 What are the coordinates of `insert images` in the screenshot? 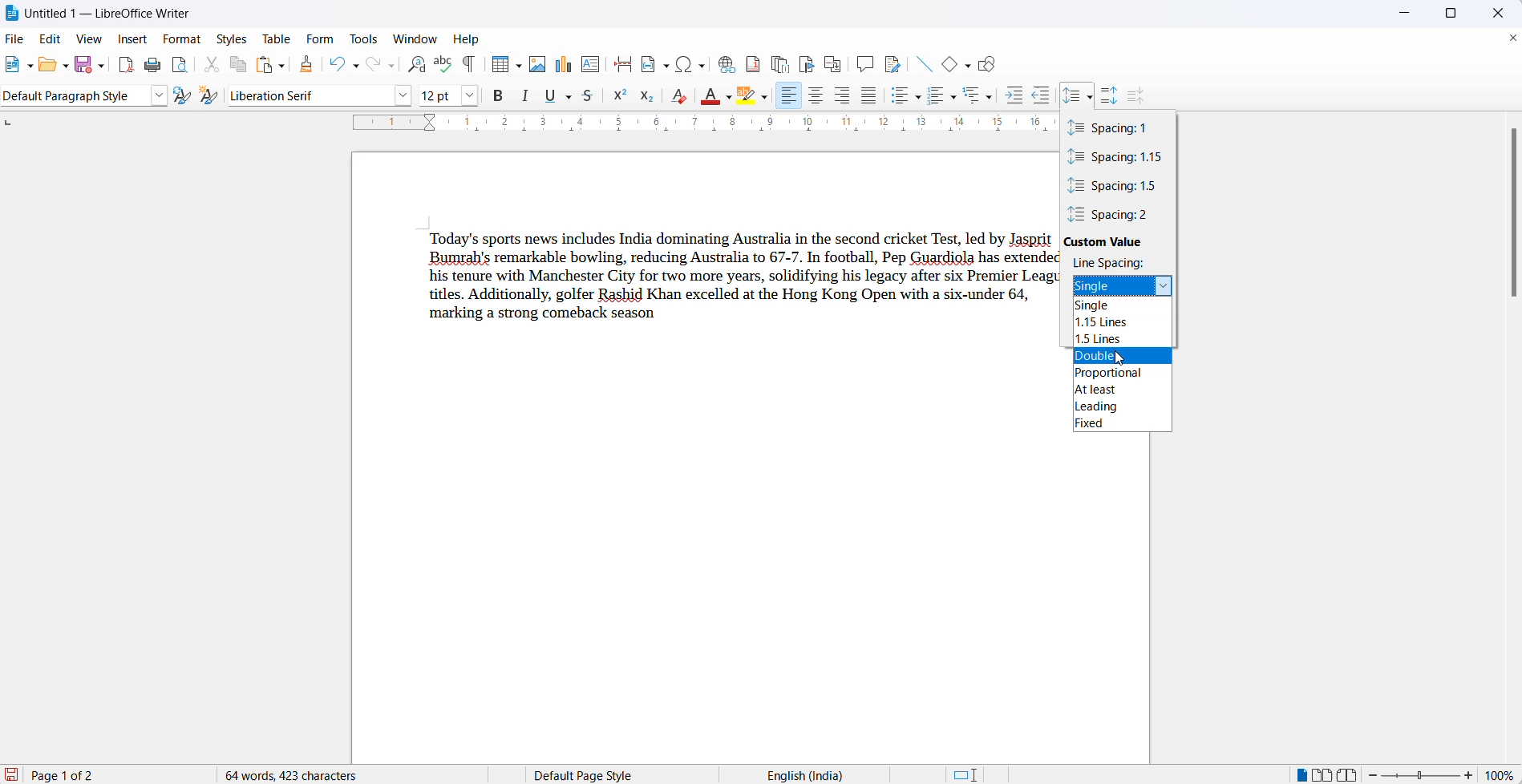 It's located at (540, 65).